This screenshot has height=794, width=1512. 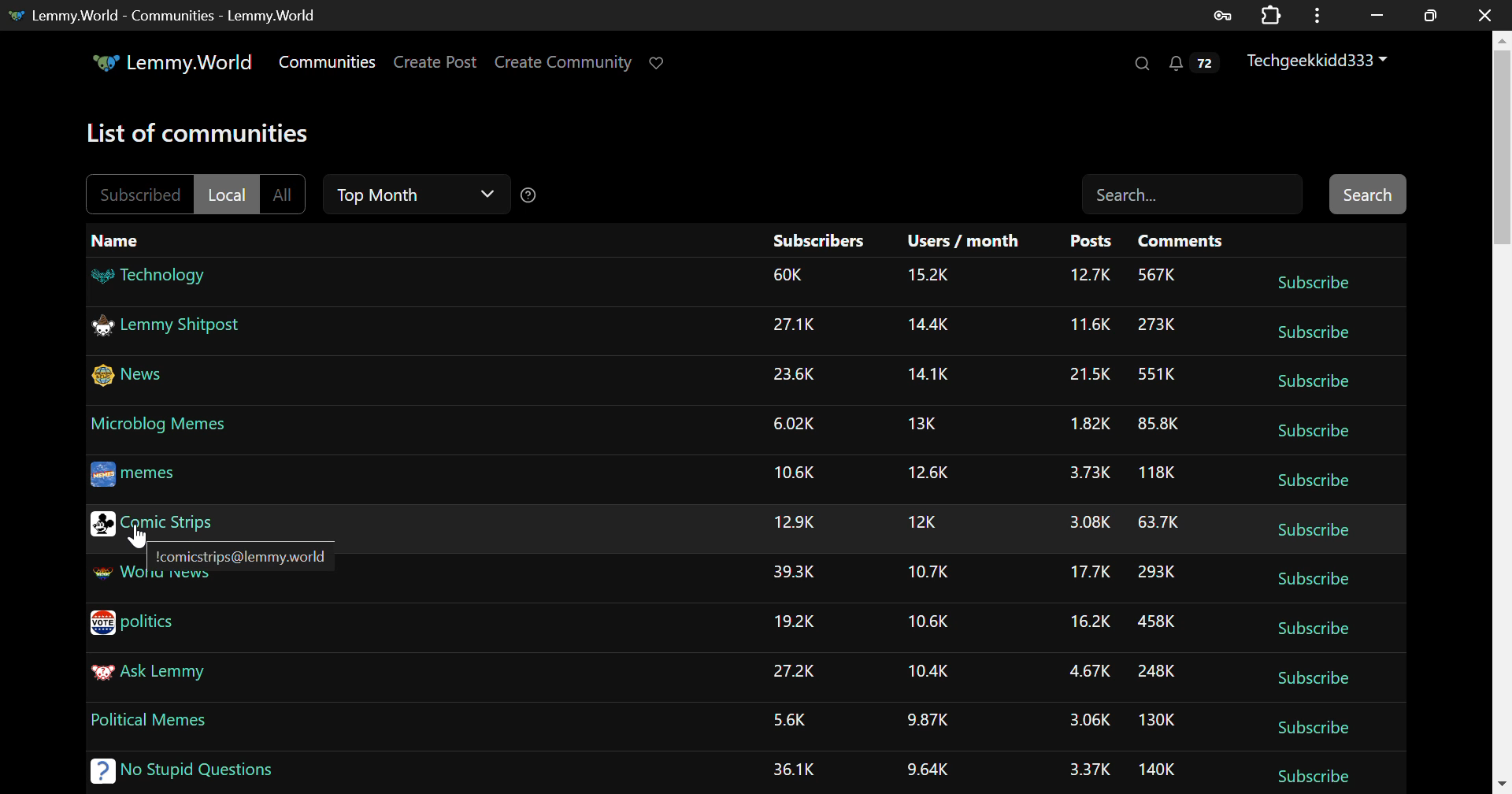 I want to click on Subscribe, so click(x=1317, y=727).